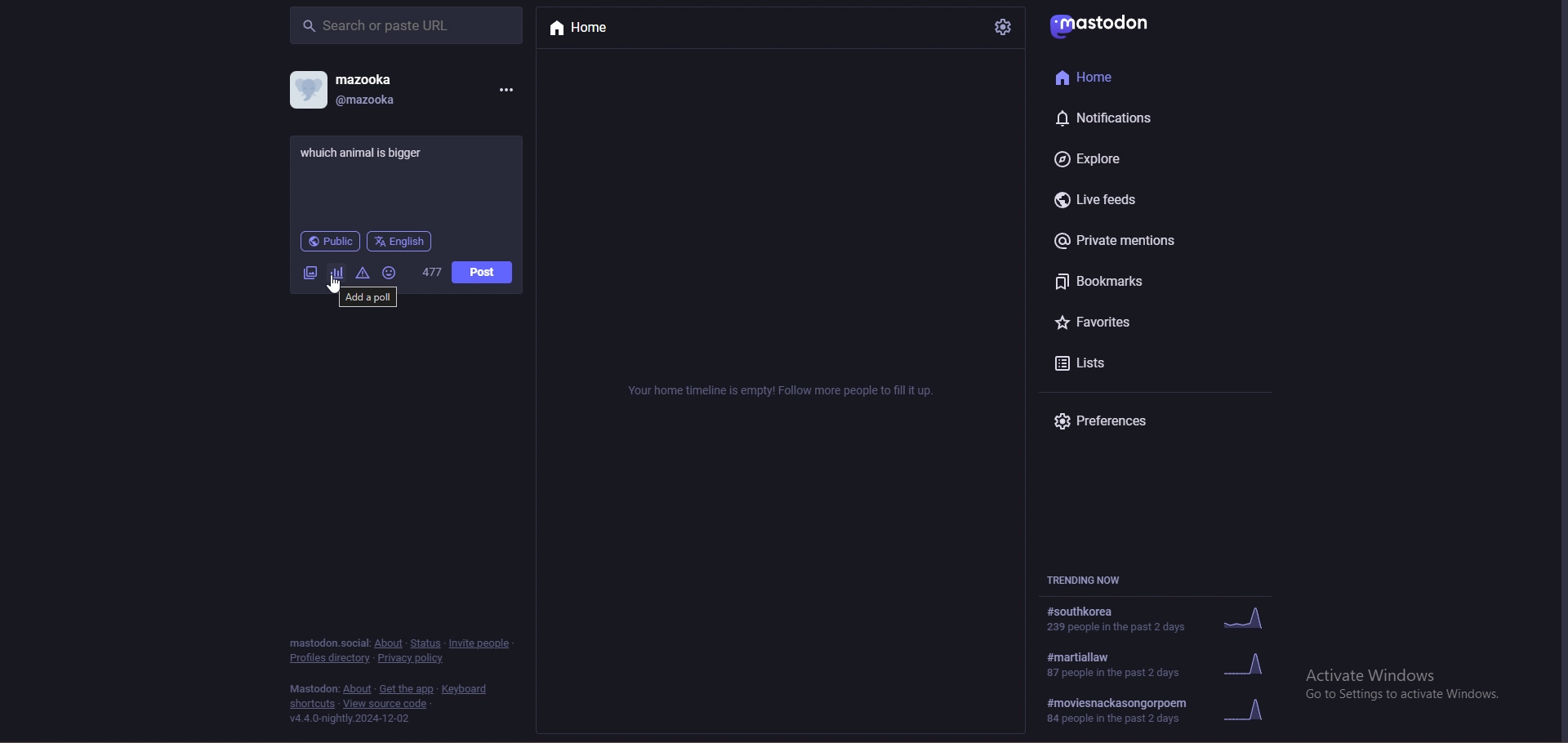  I want to click on lists, so click(1111, 363).